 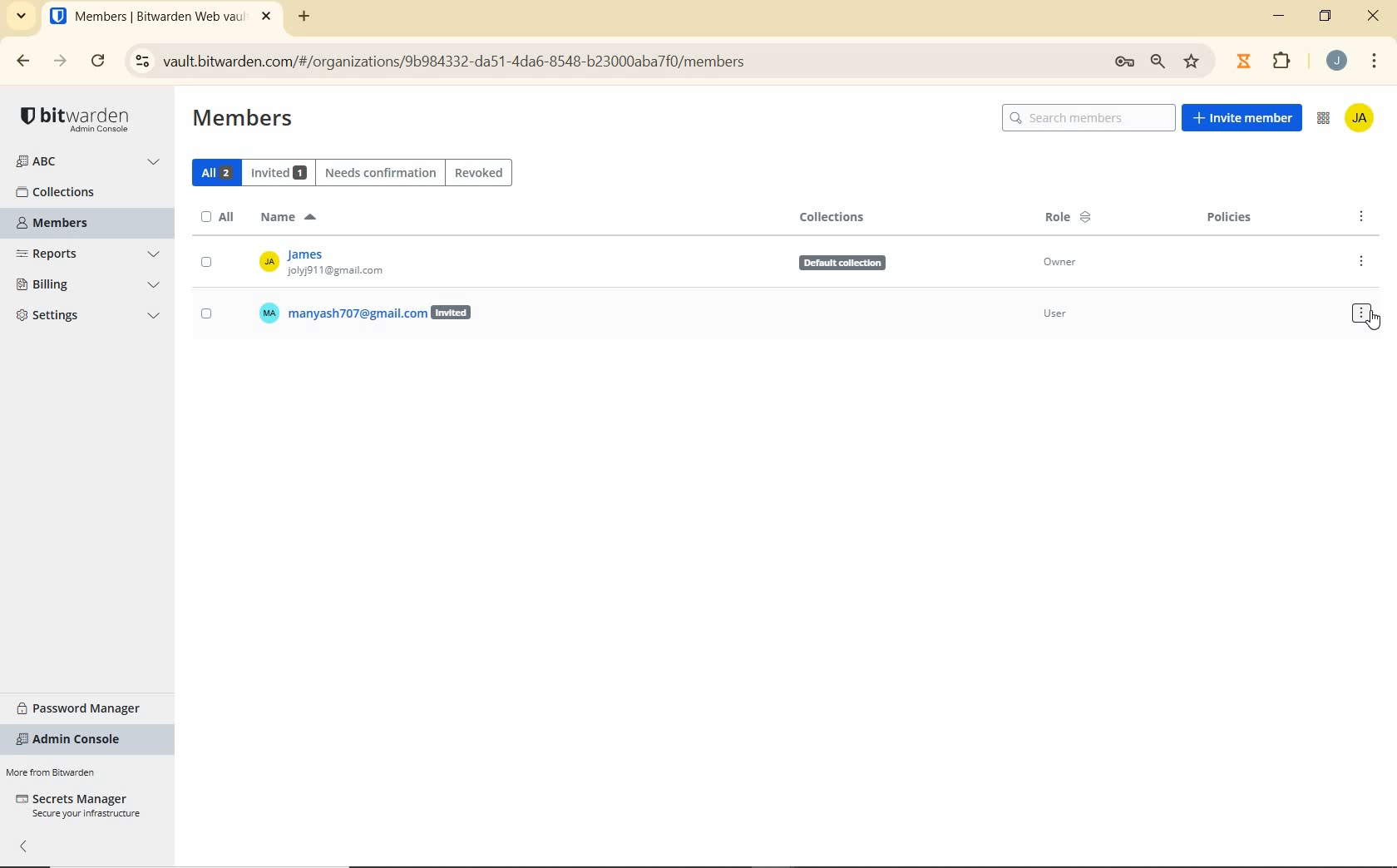 What do you see at coordinates (352, 313) in the screenshot?
I see `USER` at bounding box center [352, 313].